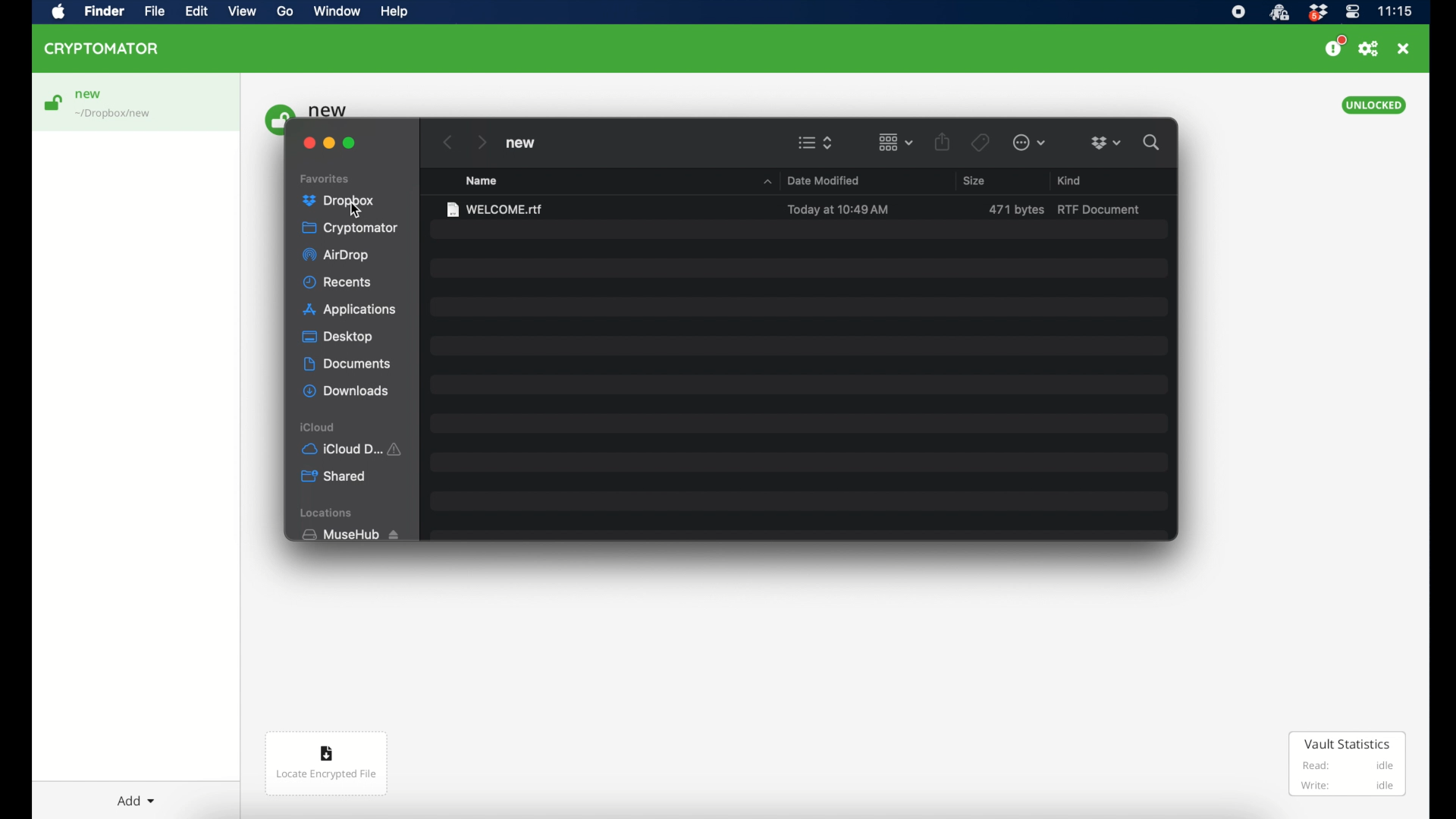  Describe the element at coordinates (1029, 143) in the screenshot. I see `more options` at that location.